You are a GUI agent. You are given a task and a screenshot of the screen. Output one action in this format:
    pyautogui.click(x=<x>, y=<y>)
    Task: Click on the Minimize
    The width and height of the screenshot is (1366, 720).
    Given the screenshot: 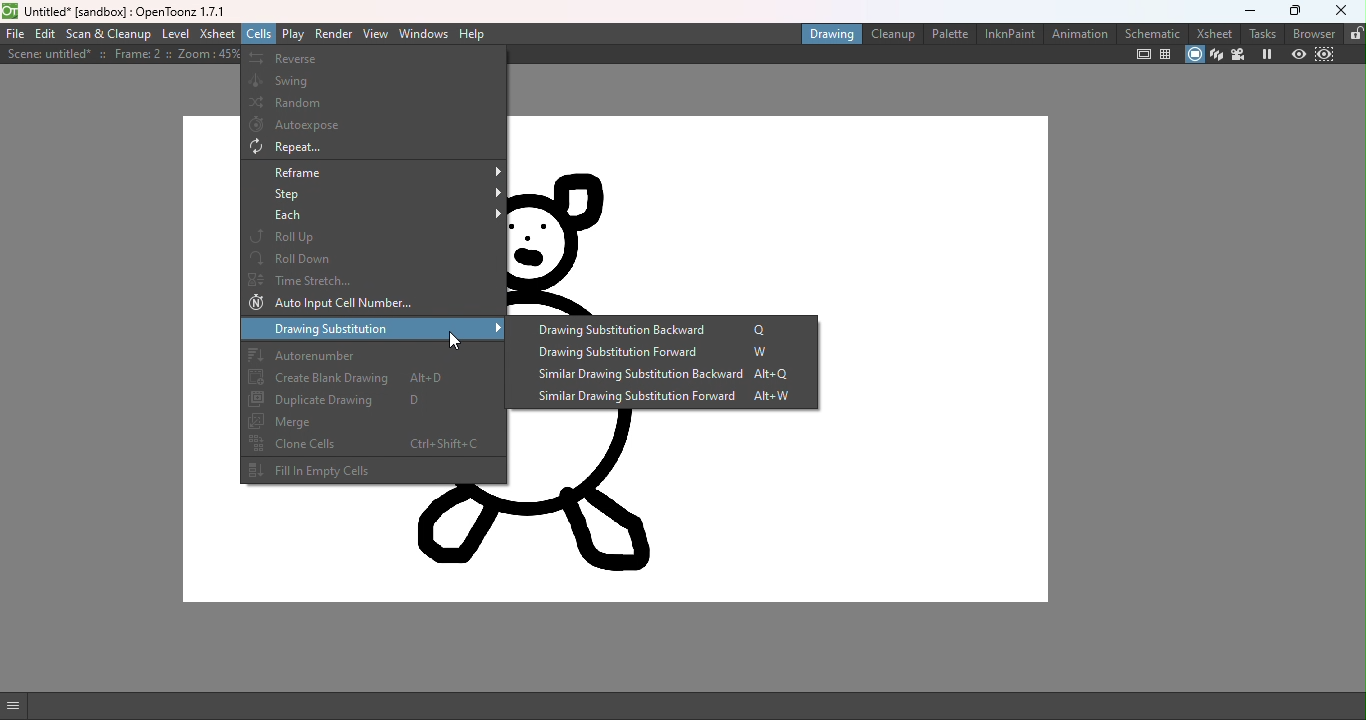 What is the action you would take?
    pyautogui.click(x=1250, y=9)
    